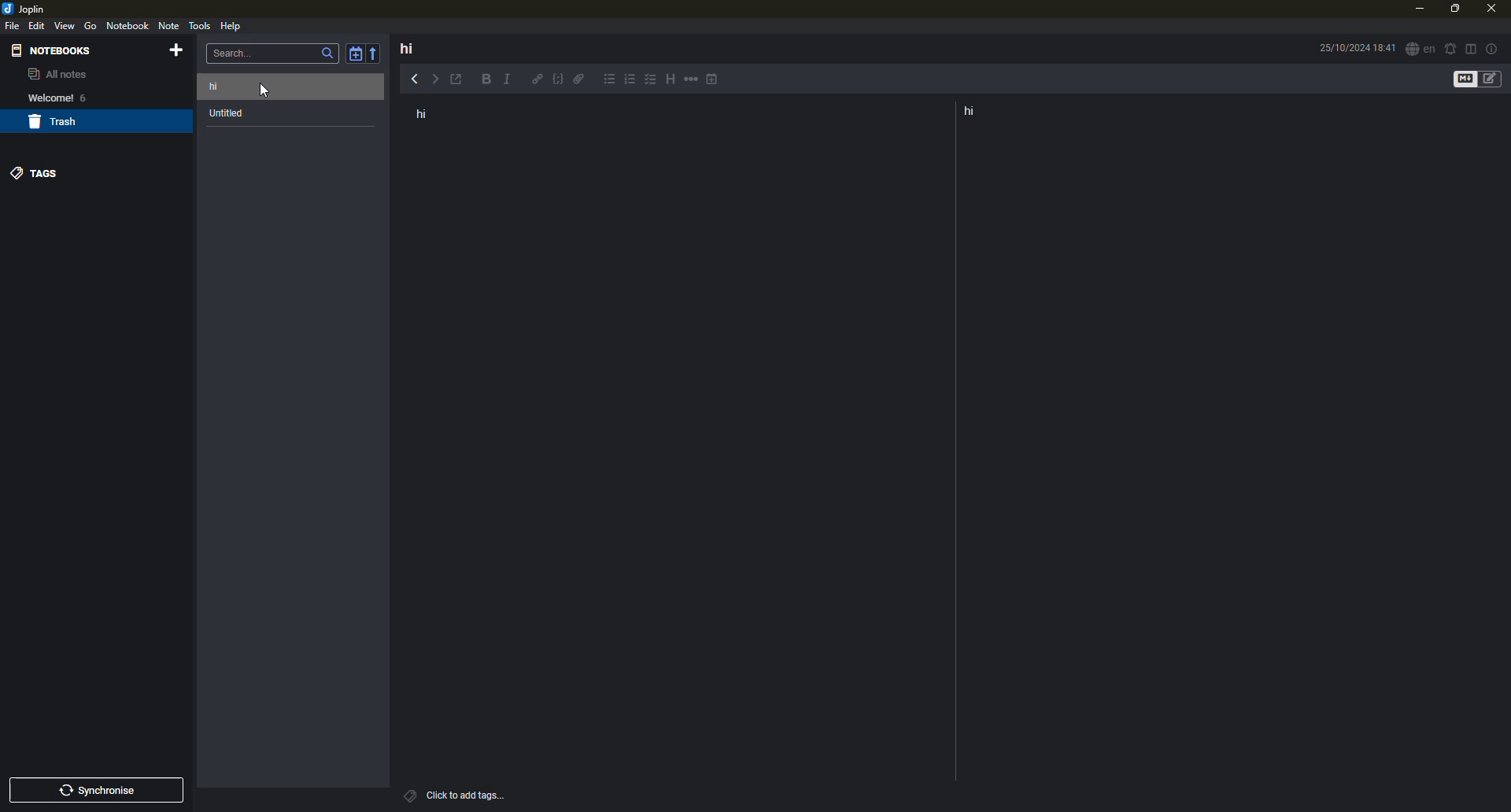  What do you see at coordinates (38, 25) in the screenshot?
I see `edit` at bounding box center [38, 25].